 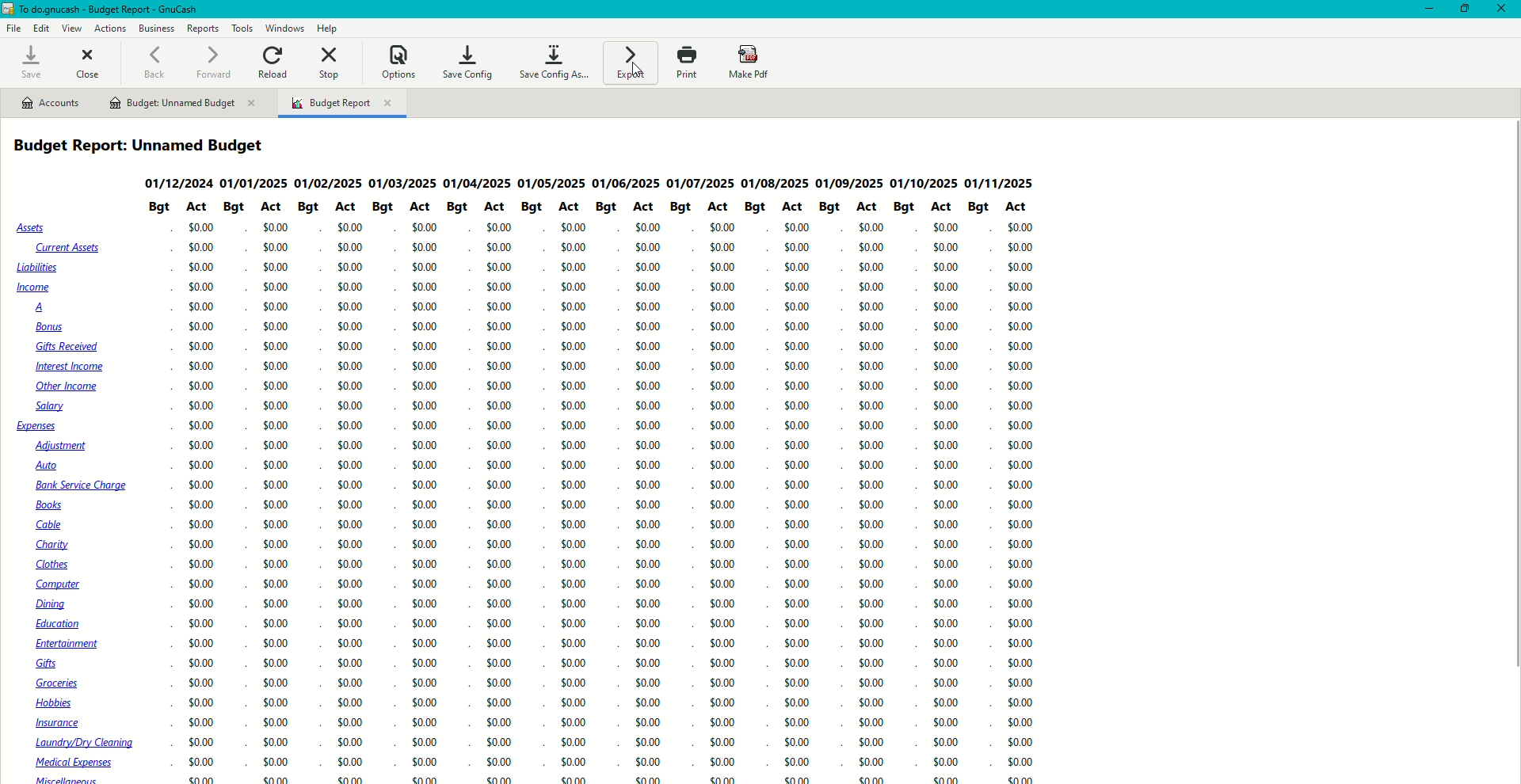 What do you see at coordinates (573, 229) in the screenshot?
I see `$0.00` at bounding box center [573, 229].